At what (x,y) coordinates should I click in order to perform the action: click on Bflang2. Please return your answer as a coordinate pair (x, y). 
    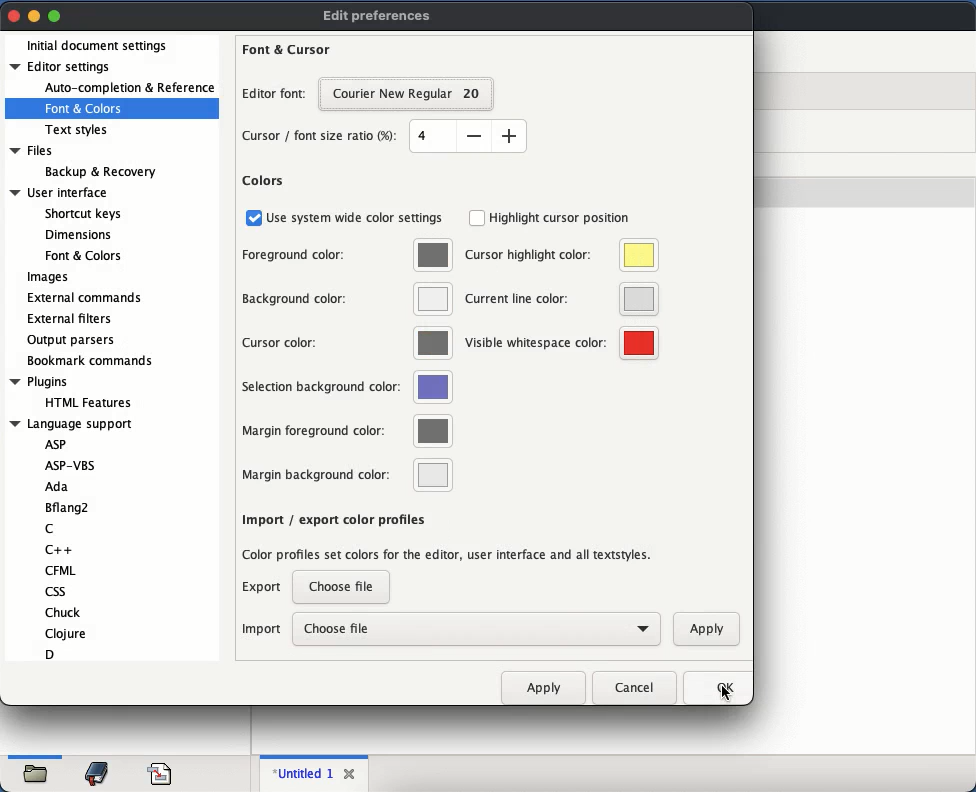
    Looking at the image, I should click on (67, 507).